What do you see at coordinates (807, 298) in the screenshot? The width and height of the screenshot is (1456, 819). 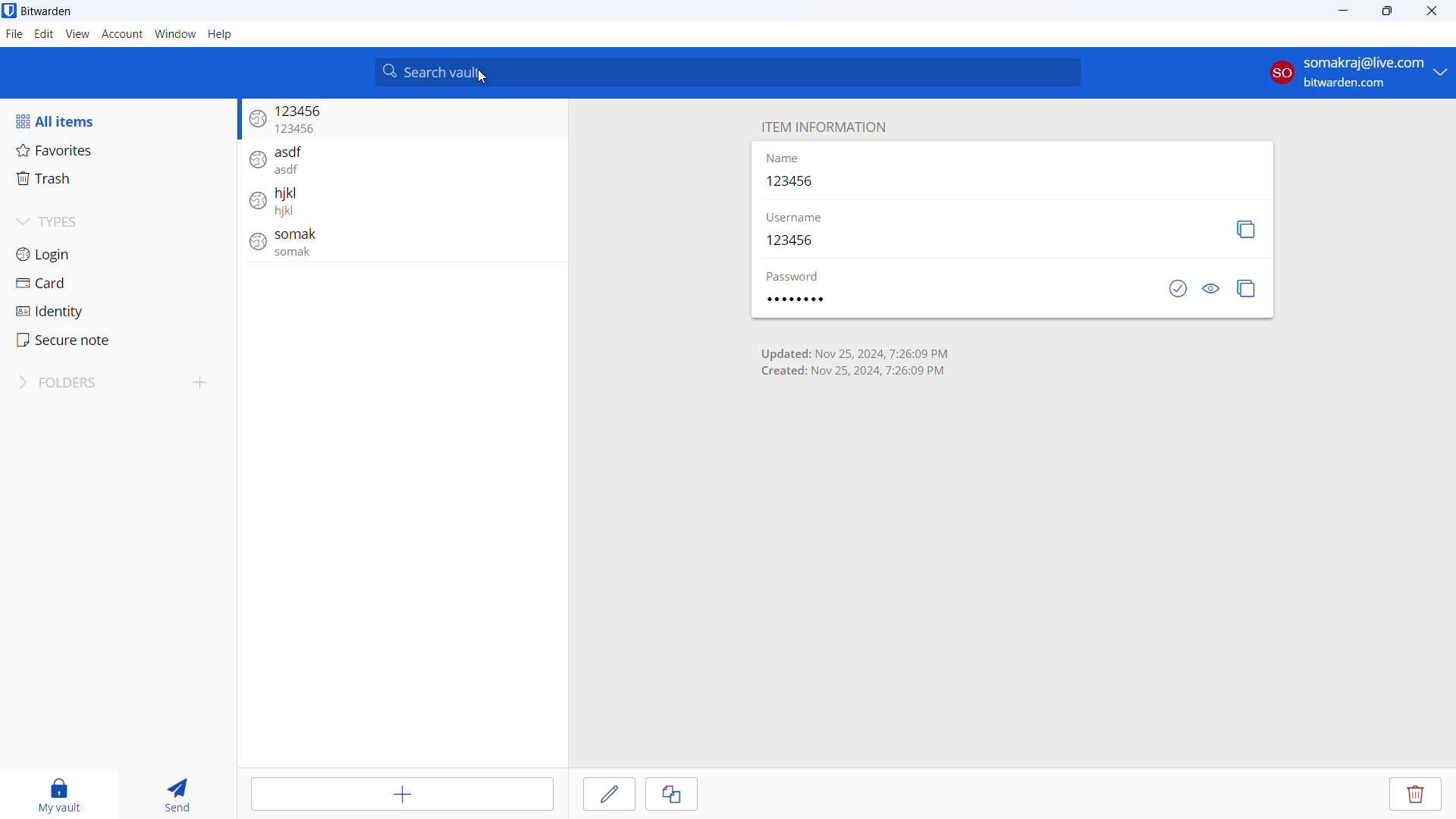 I see `password` at bounding box center [807, 298].